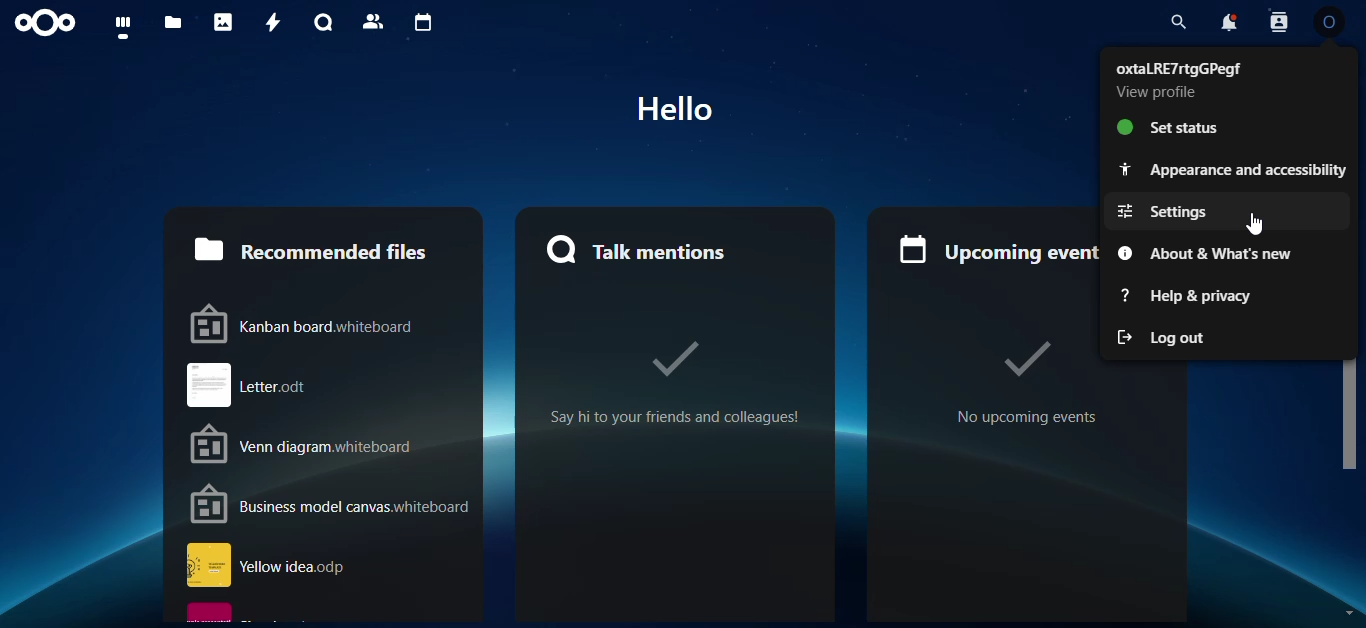 The image size is (1366, 628). What do you see at coordinates (1329, 22) in the screenshot?
I see `profile` at bounding box center [1329, 22].